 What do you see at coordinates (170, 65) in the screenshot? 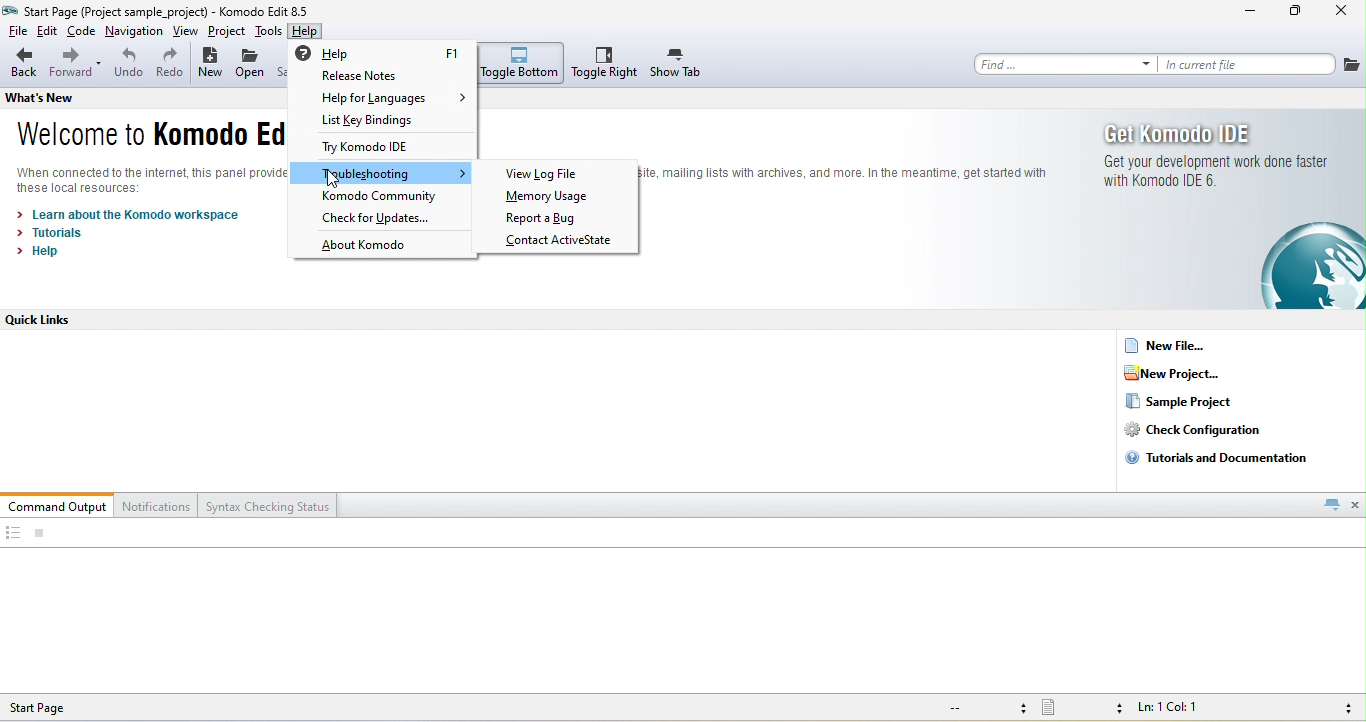
I see `redo` at bounding box center [170, 65].